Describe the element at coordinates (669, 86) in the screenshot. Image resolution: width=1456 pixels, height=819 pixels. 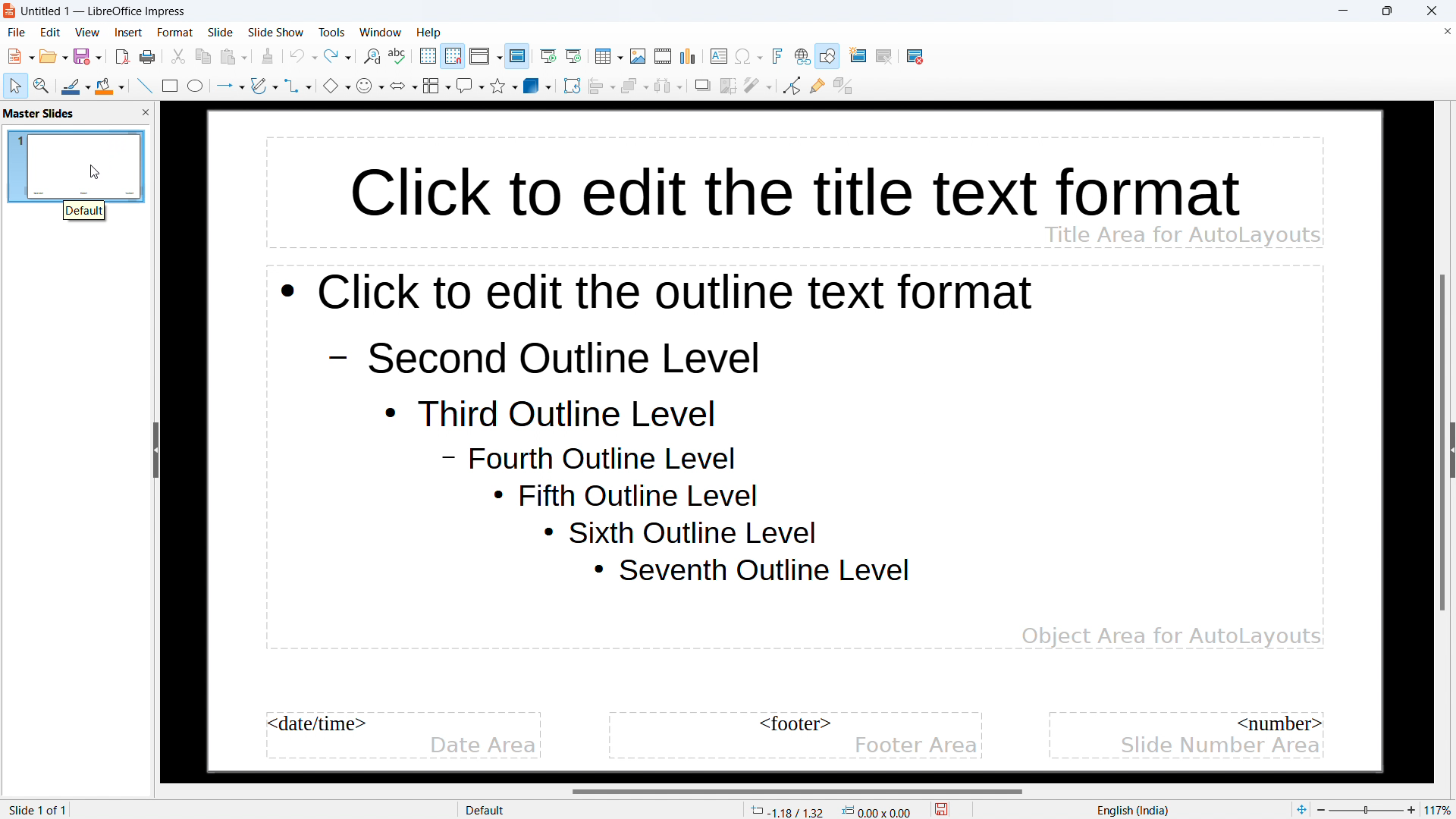
I see `select at least three objects to distribute` at that location.